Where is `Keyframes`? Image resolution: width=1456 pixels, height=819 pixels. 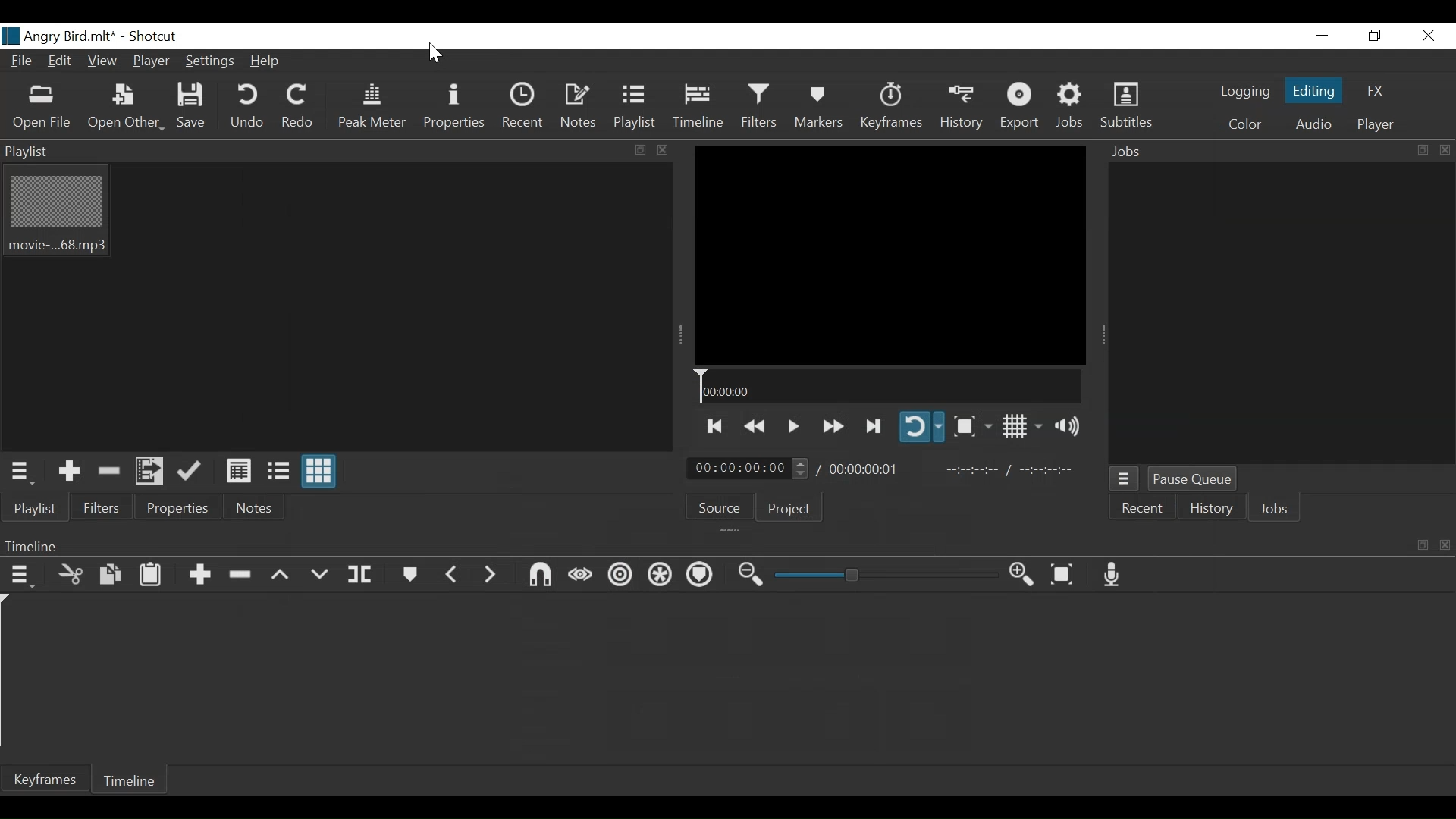 Keyframes is located at coordinates (890, 106).